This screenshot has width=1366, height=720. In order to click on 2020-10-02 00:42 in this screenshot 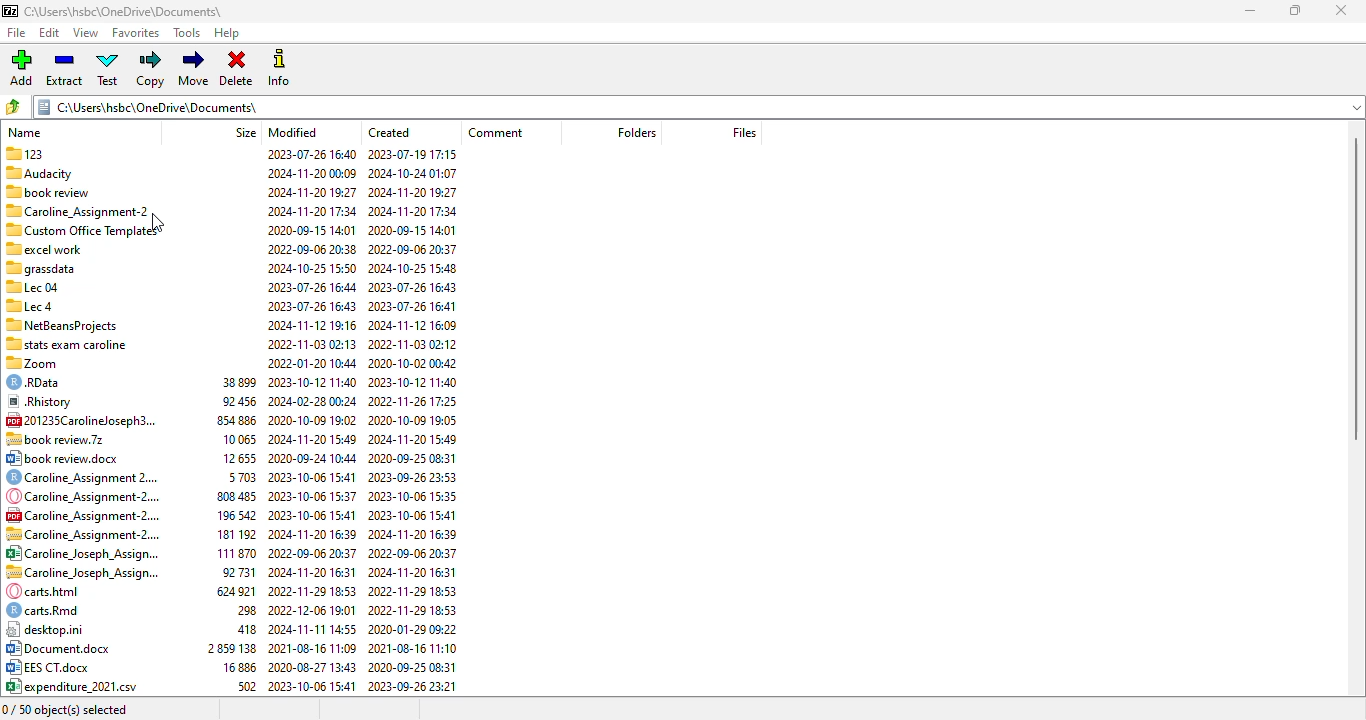, I will do `click(417, 362)`.